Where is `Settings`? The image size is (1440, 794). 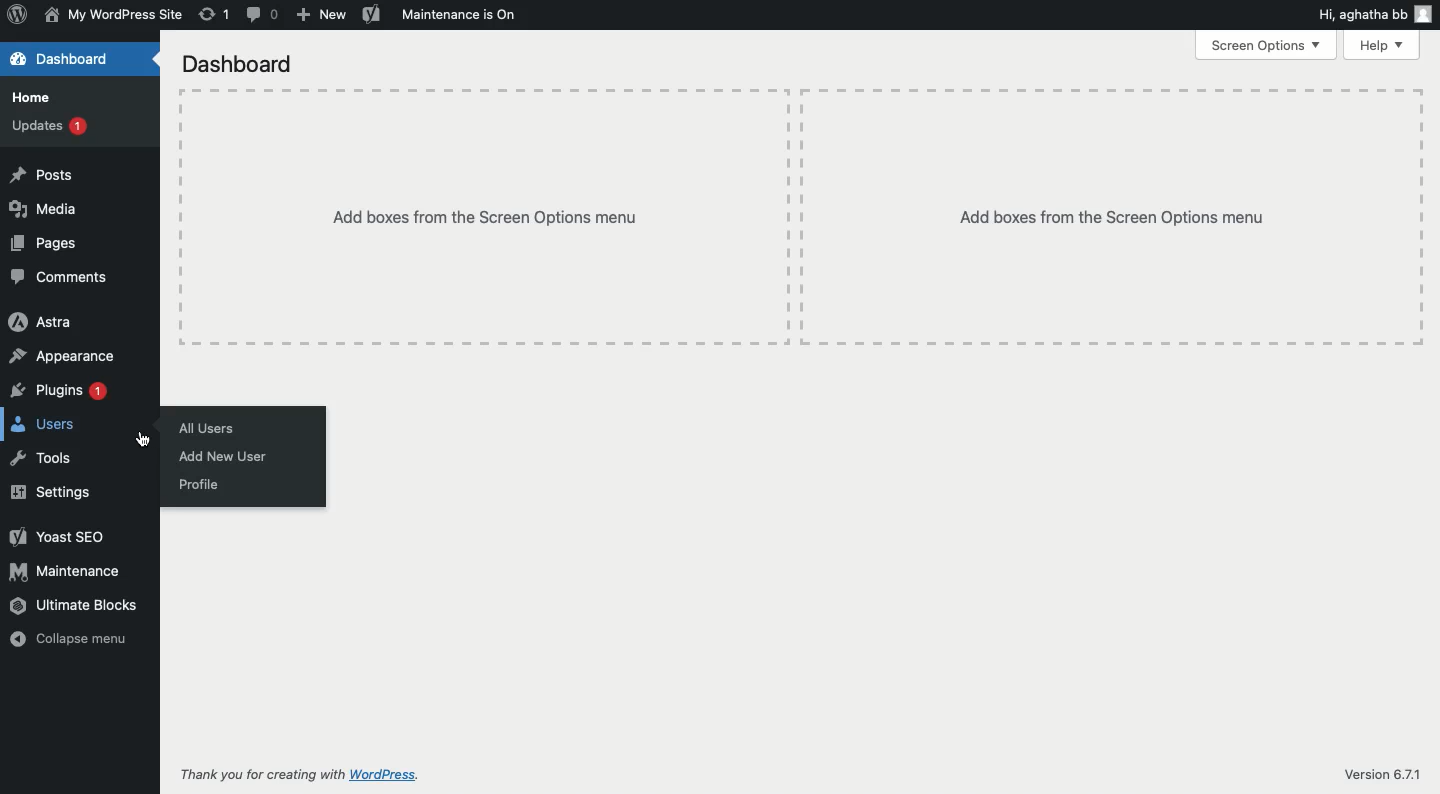
Settings is located at coordinates (53, 492).